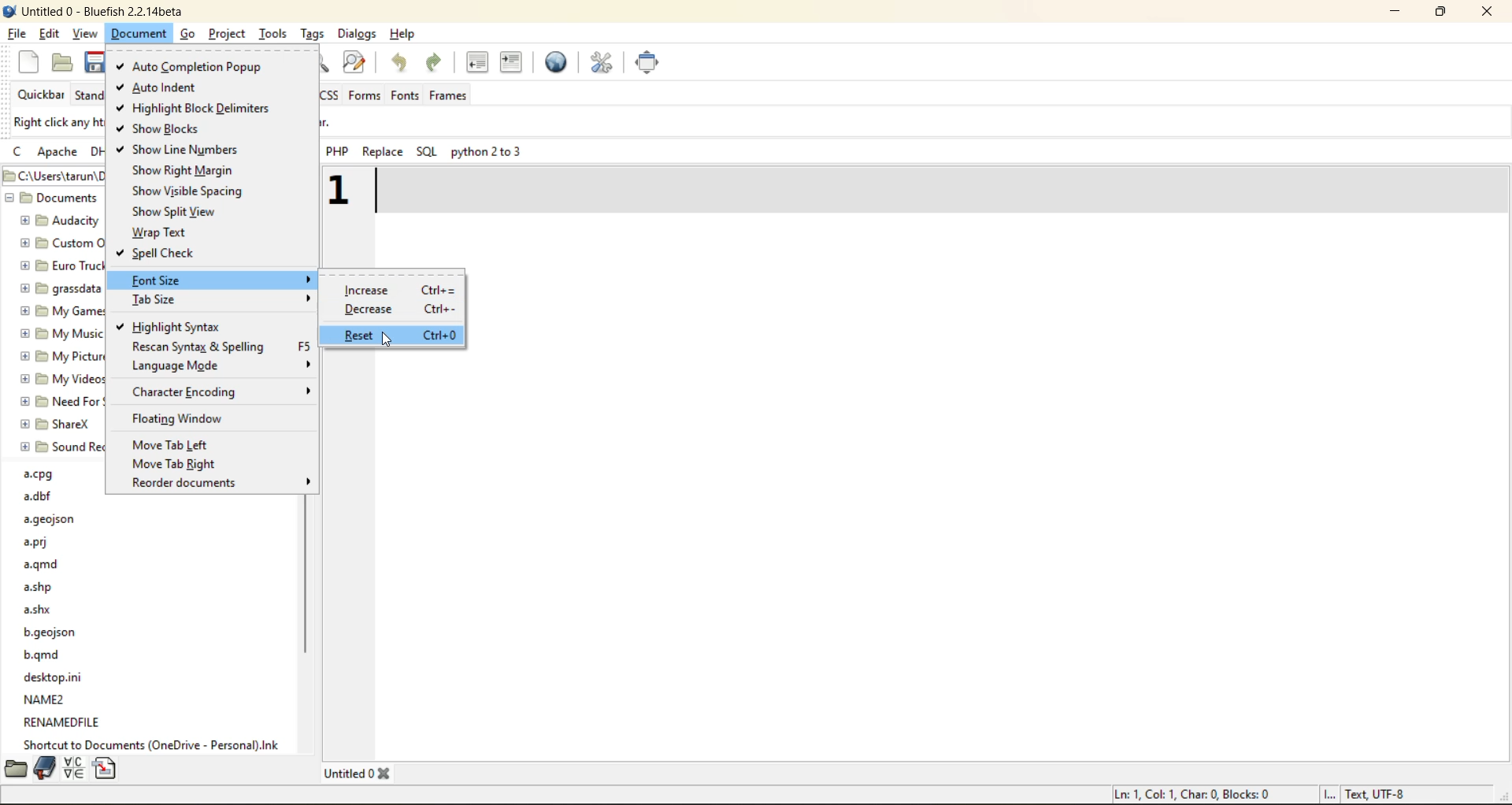 The width and height of the screenshot is (1512, 805). I want to click on go, so click(188, 34).